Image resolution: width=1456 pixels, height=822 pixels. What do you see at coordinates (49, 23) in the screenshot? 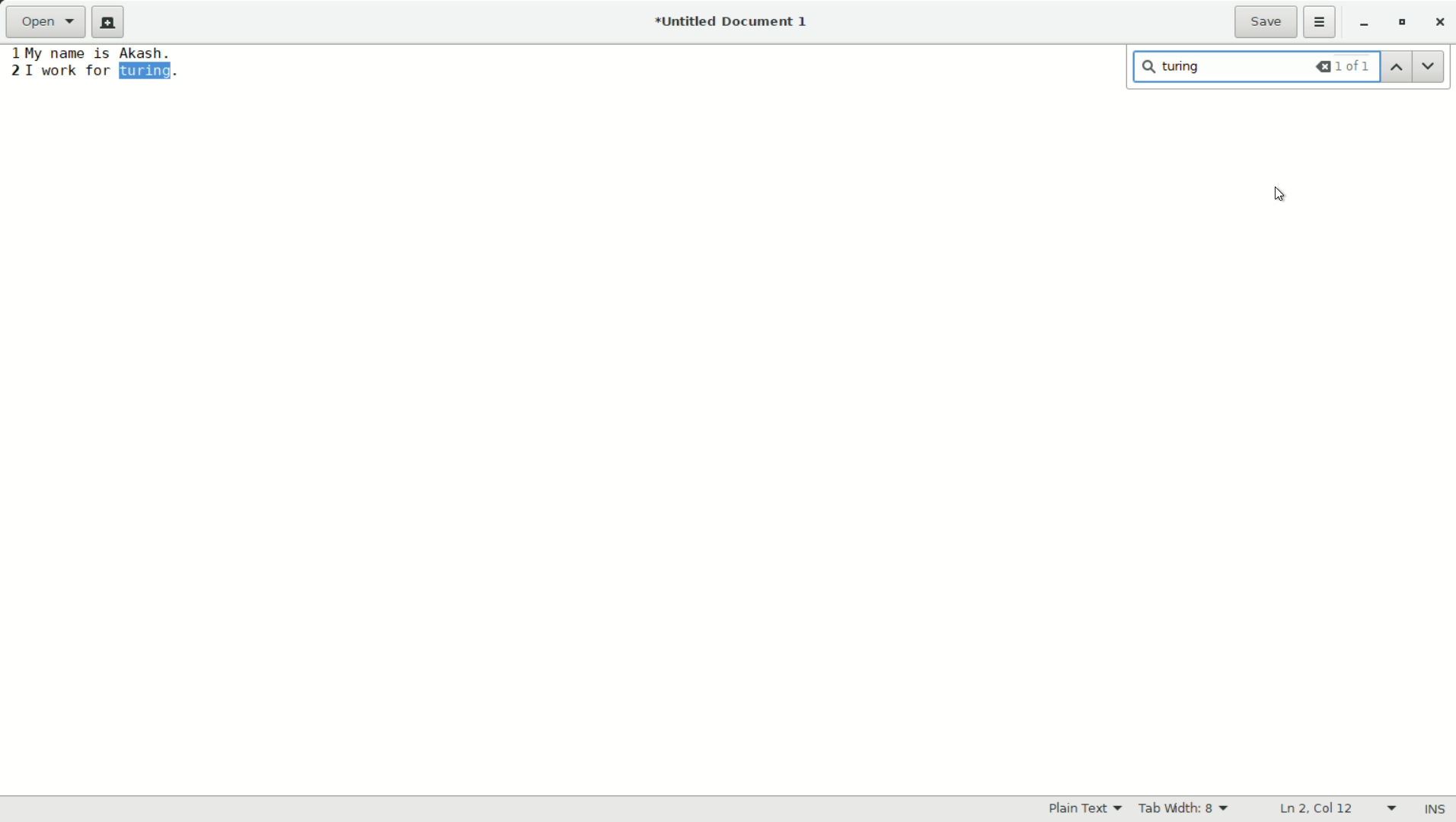
I see `open a file` at bounding box center [49, 23].